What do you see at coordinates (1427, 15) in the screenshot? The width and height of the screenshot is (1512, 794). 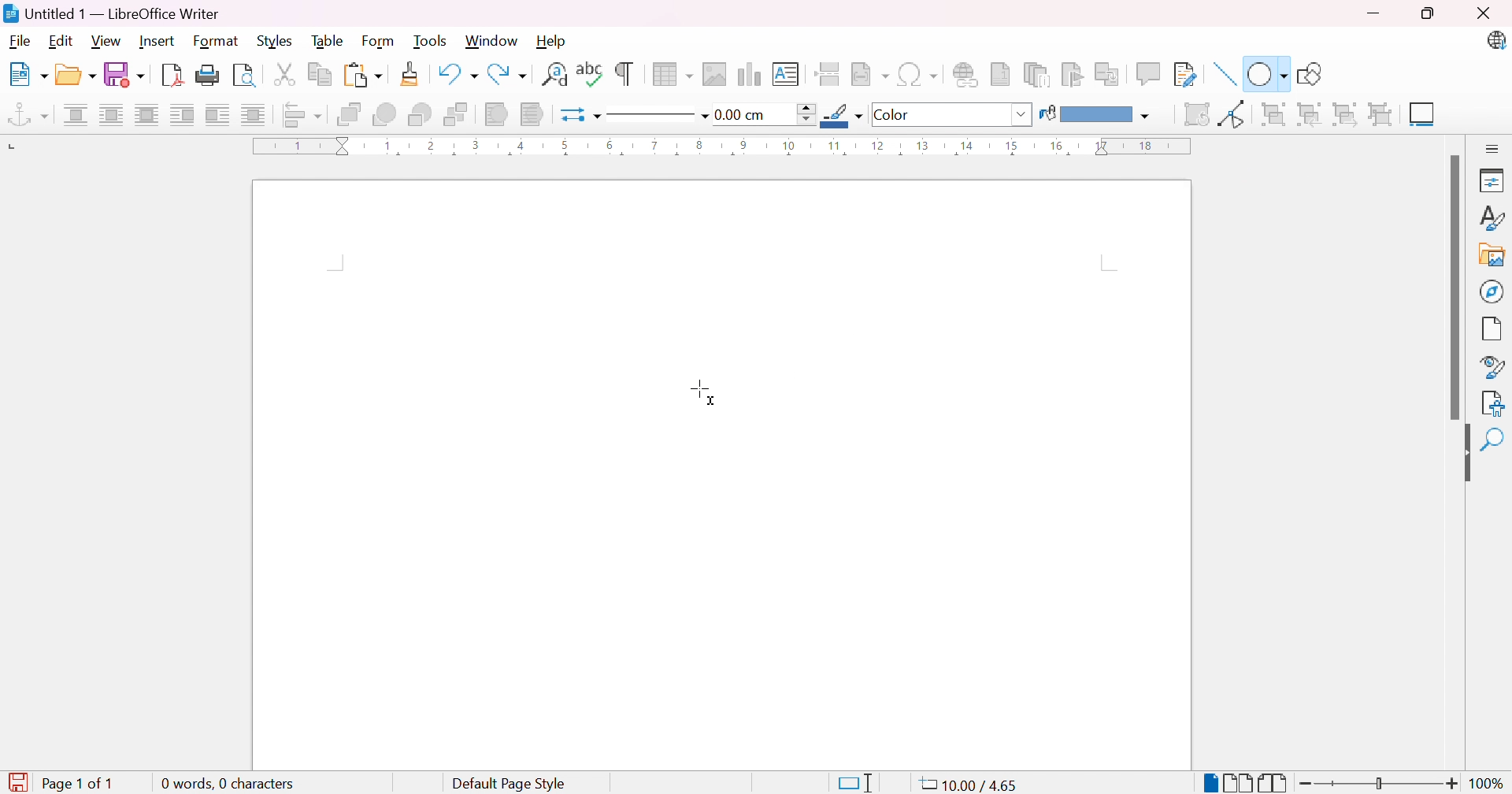 I see `Restore down` at bounding box center [1427, 15].